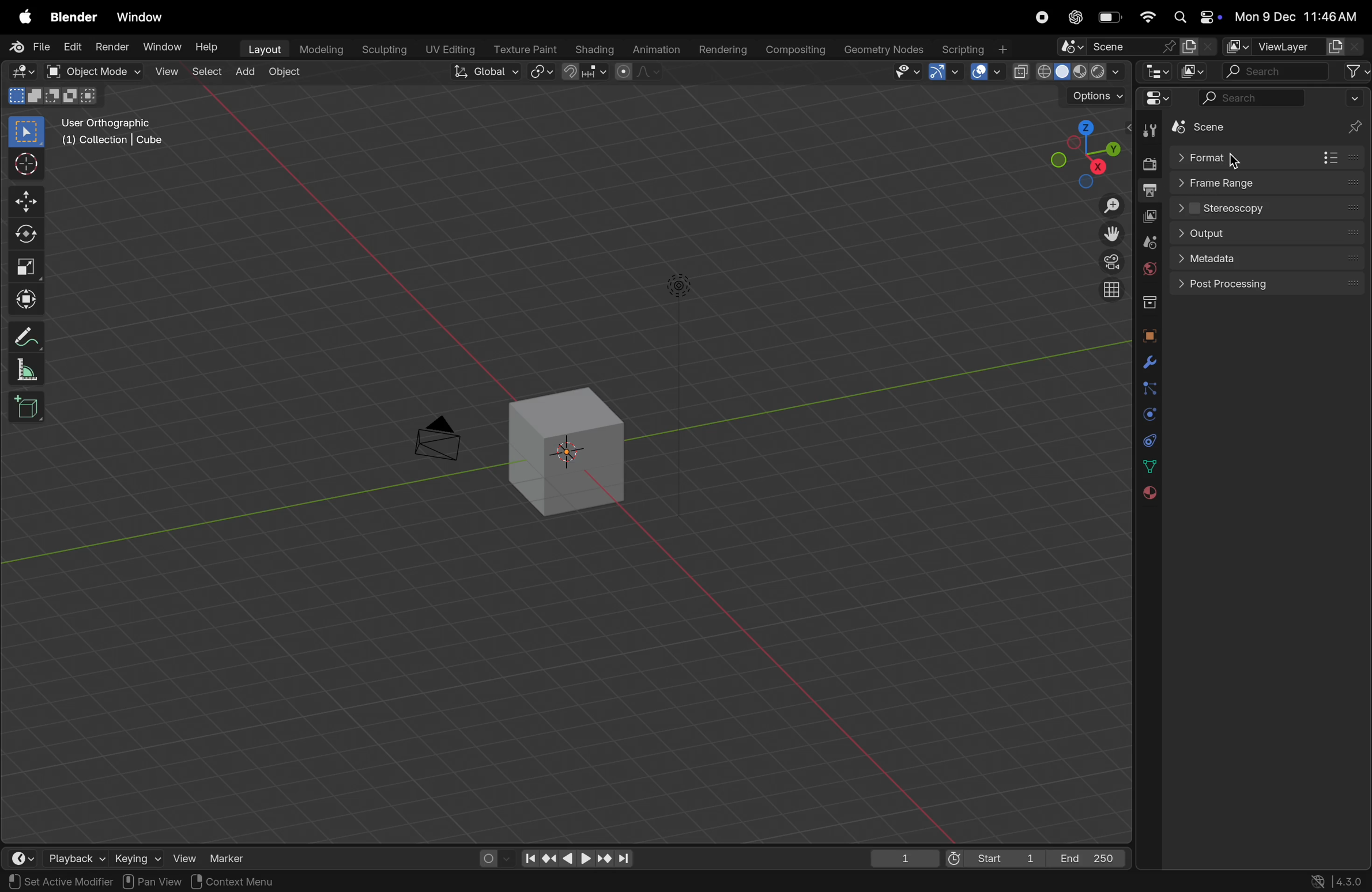 The image size is (1372, 892). Describe the element at coordinates (77, 19) in the screenshot. I see `blender menu` at that location.